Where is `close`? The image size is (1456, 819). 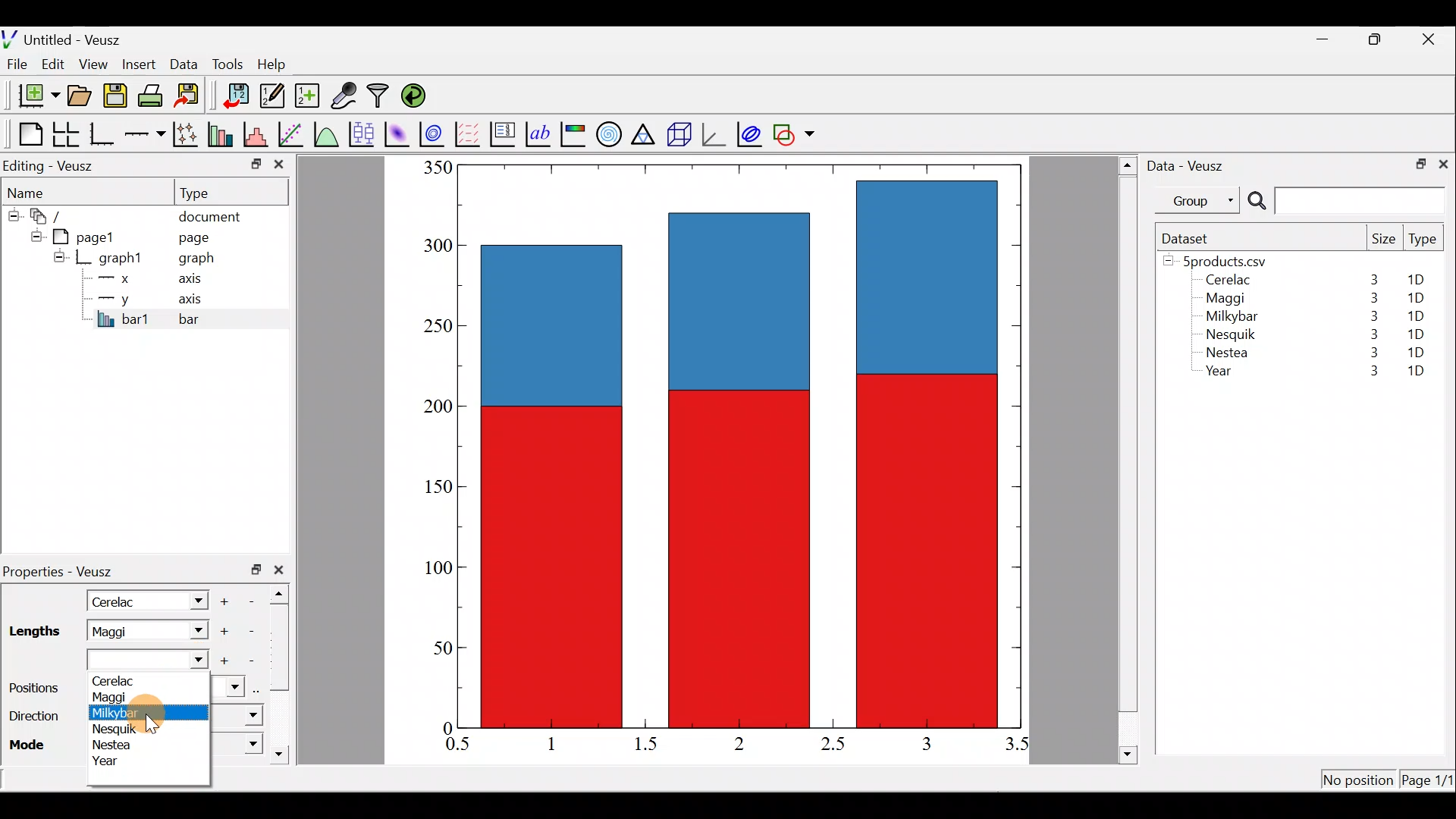
close is located at coordinates (279, 168).